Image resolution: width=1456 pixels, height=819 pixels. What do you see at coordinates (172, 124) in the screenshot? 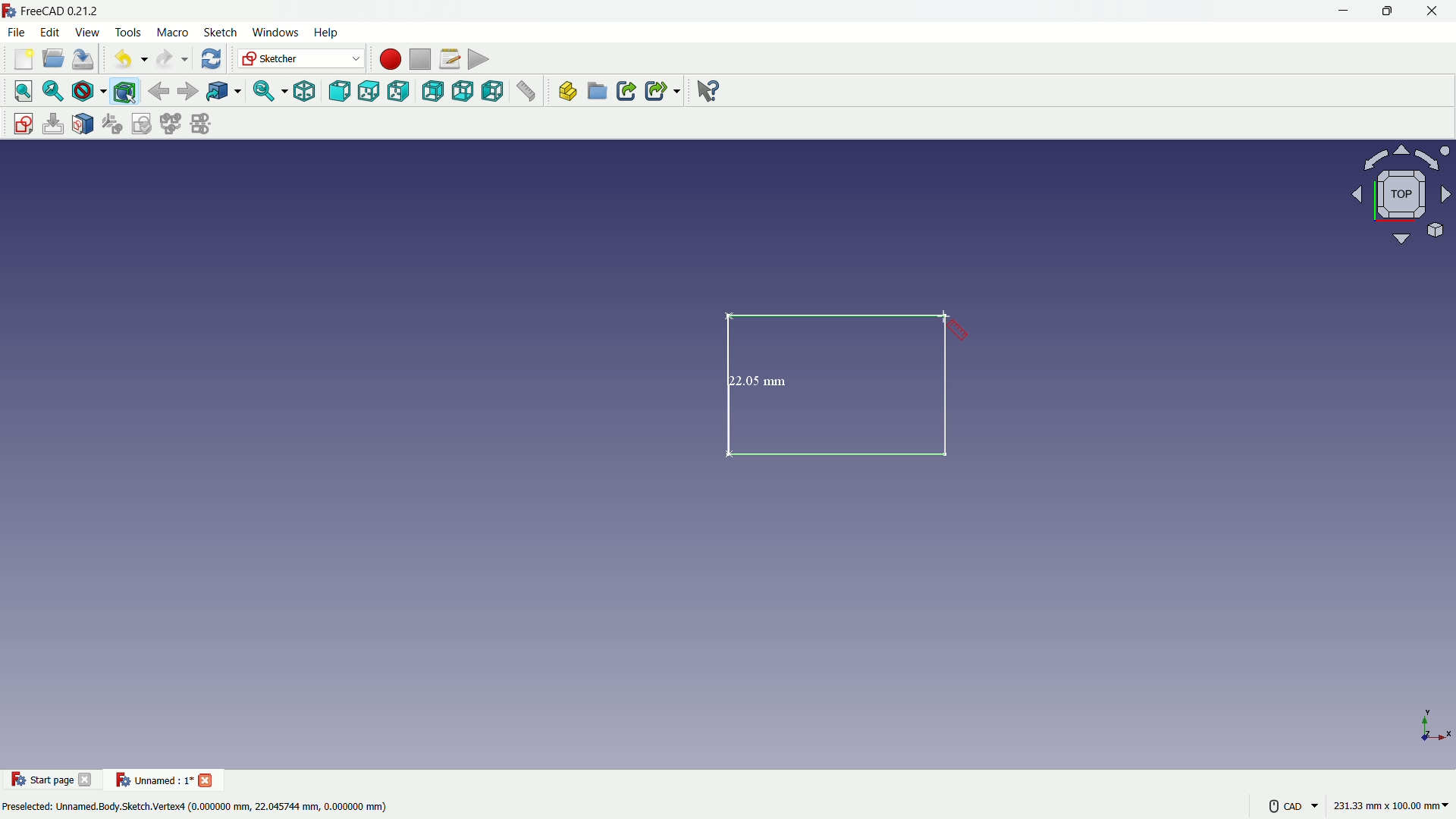
I see `merge sketches` at bounding box center [172, 124].